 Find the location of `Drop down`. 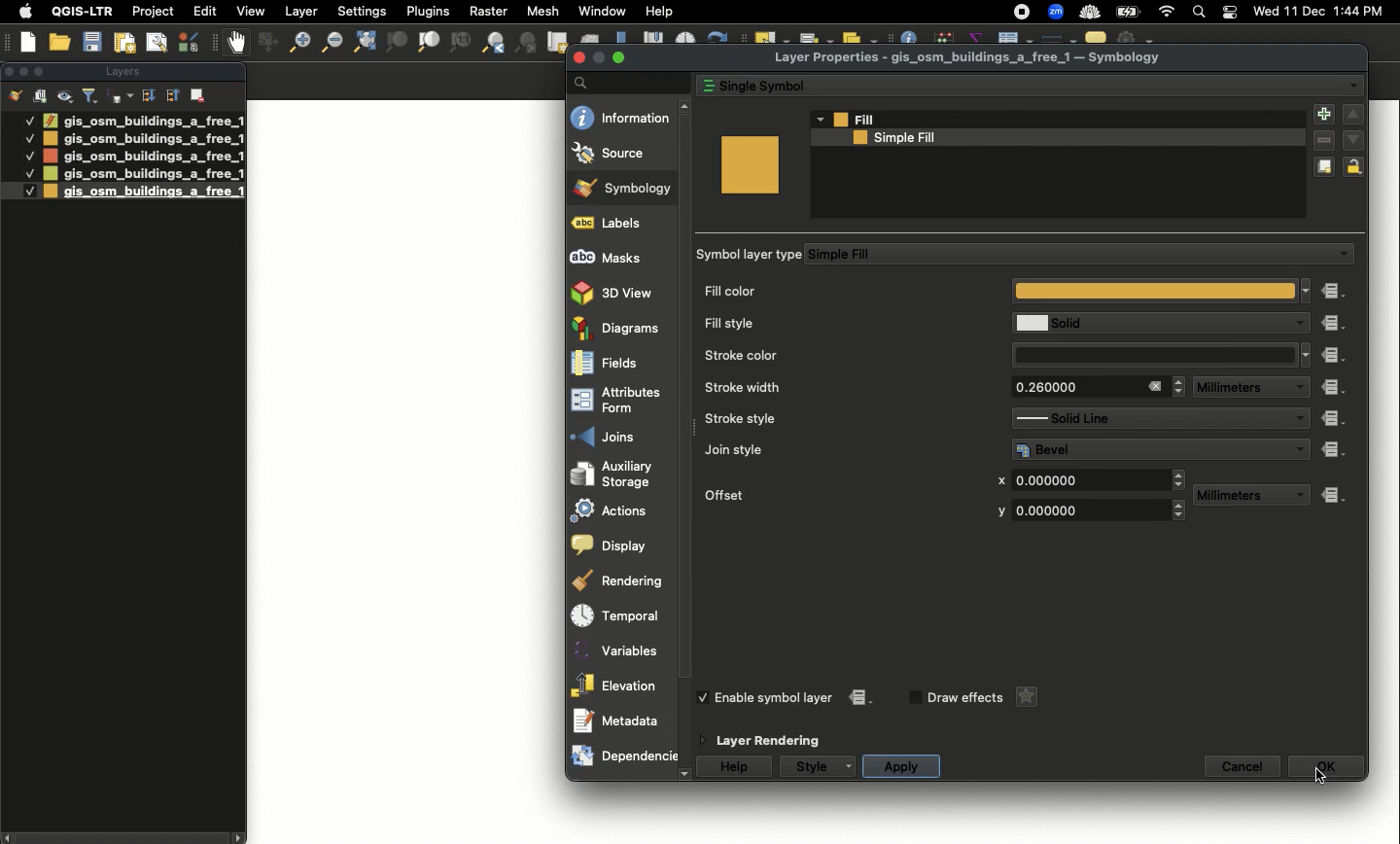

Drop down is located at coordinates (1307, 355).